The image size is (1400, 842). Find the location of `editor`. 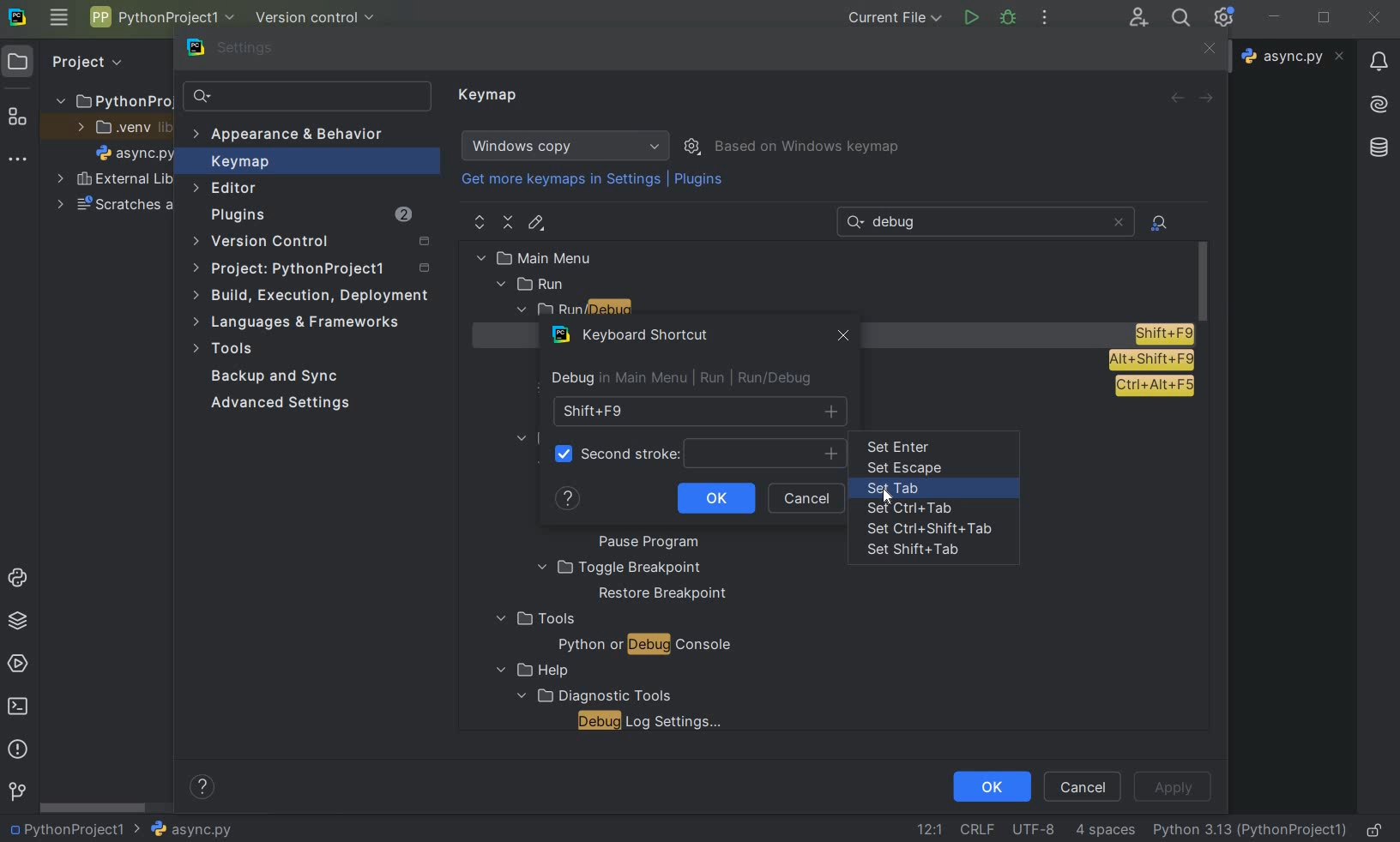

editor is located at coordinates (226, 188).